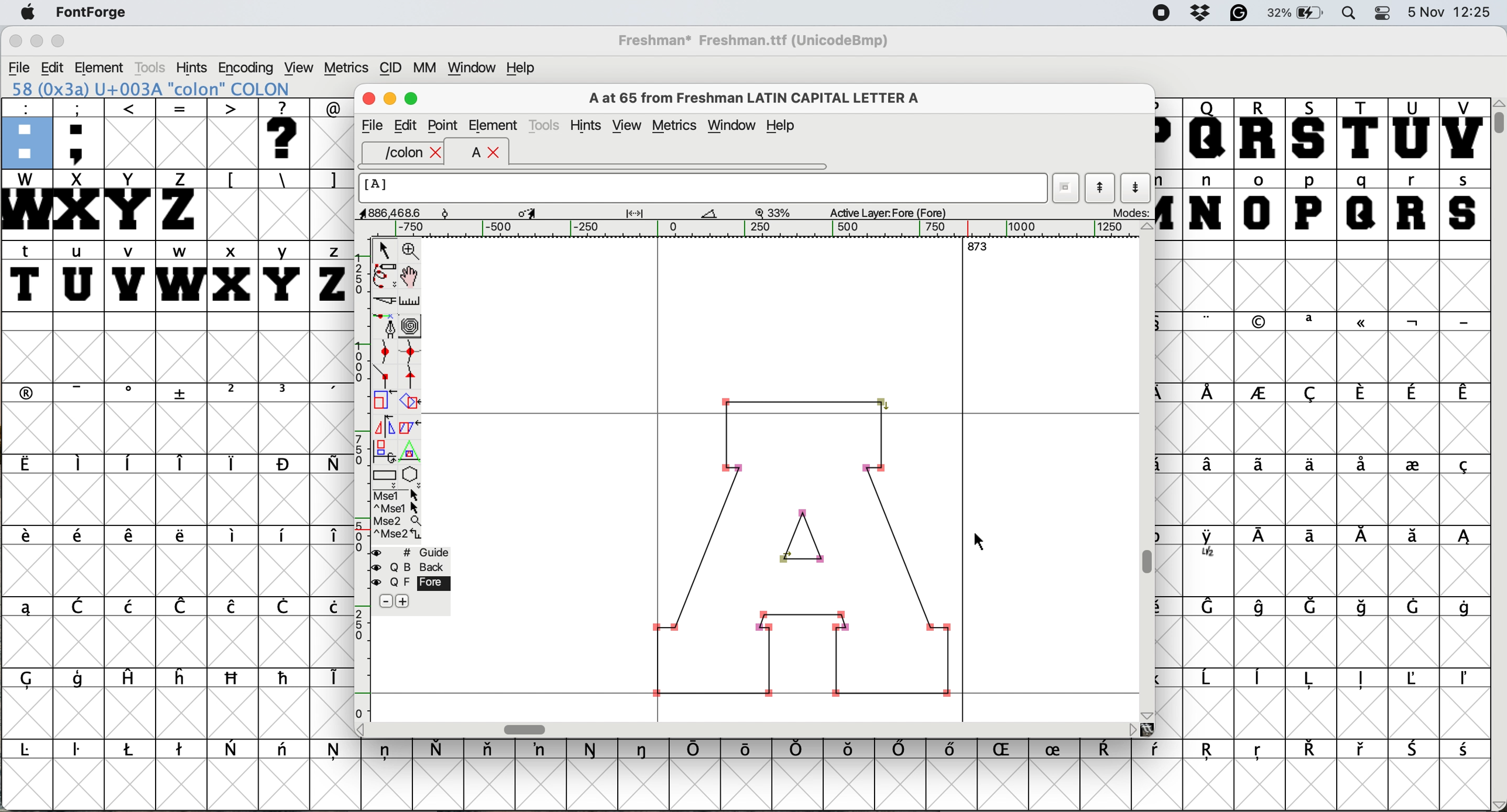 Image resolution: width=1507 pixels, height=812 pixels. What do you see at coordinates (232, 608) in the screenshot?
I see `symbol` at bounding box center [232, 608].